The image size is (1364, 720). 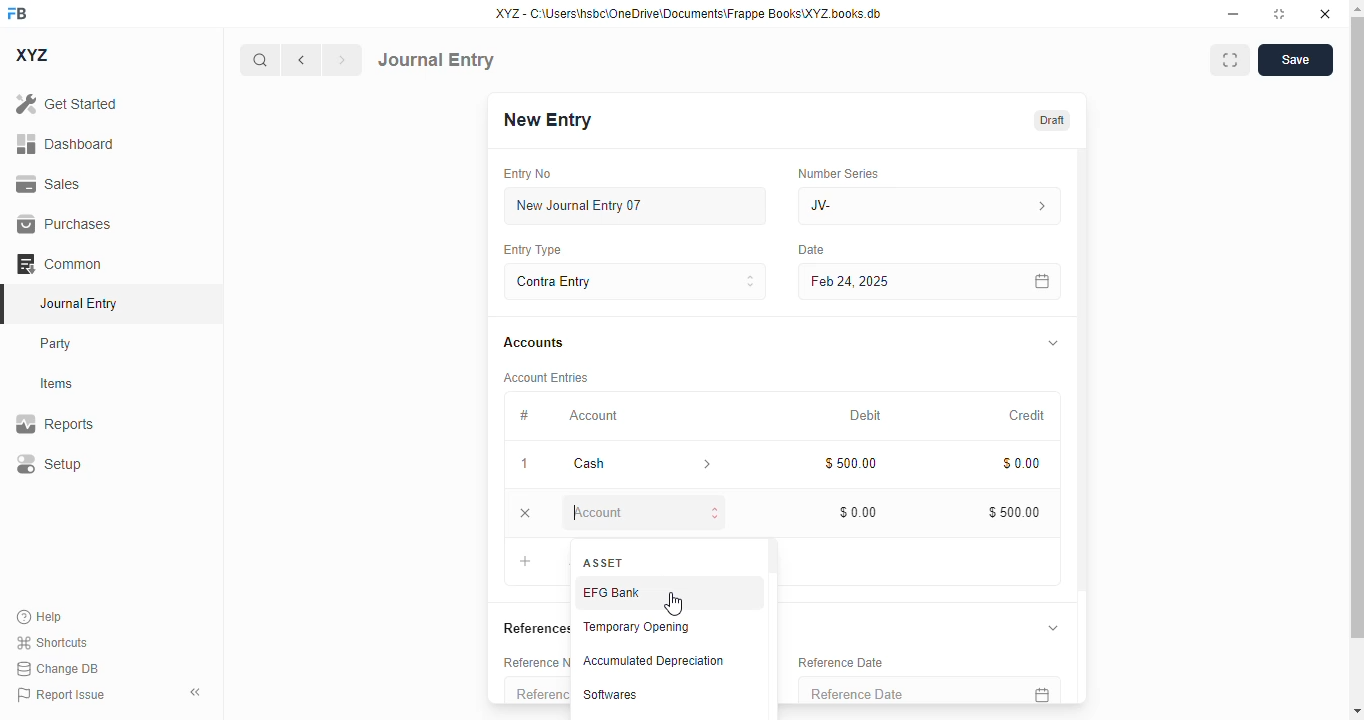 I want to click on party, so click(x=58, y=344).